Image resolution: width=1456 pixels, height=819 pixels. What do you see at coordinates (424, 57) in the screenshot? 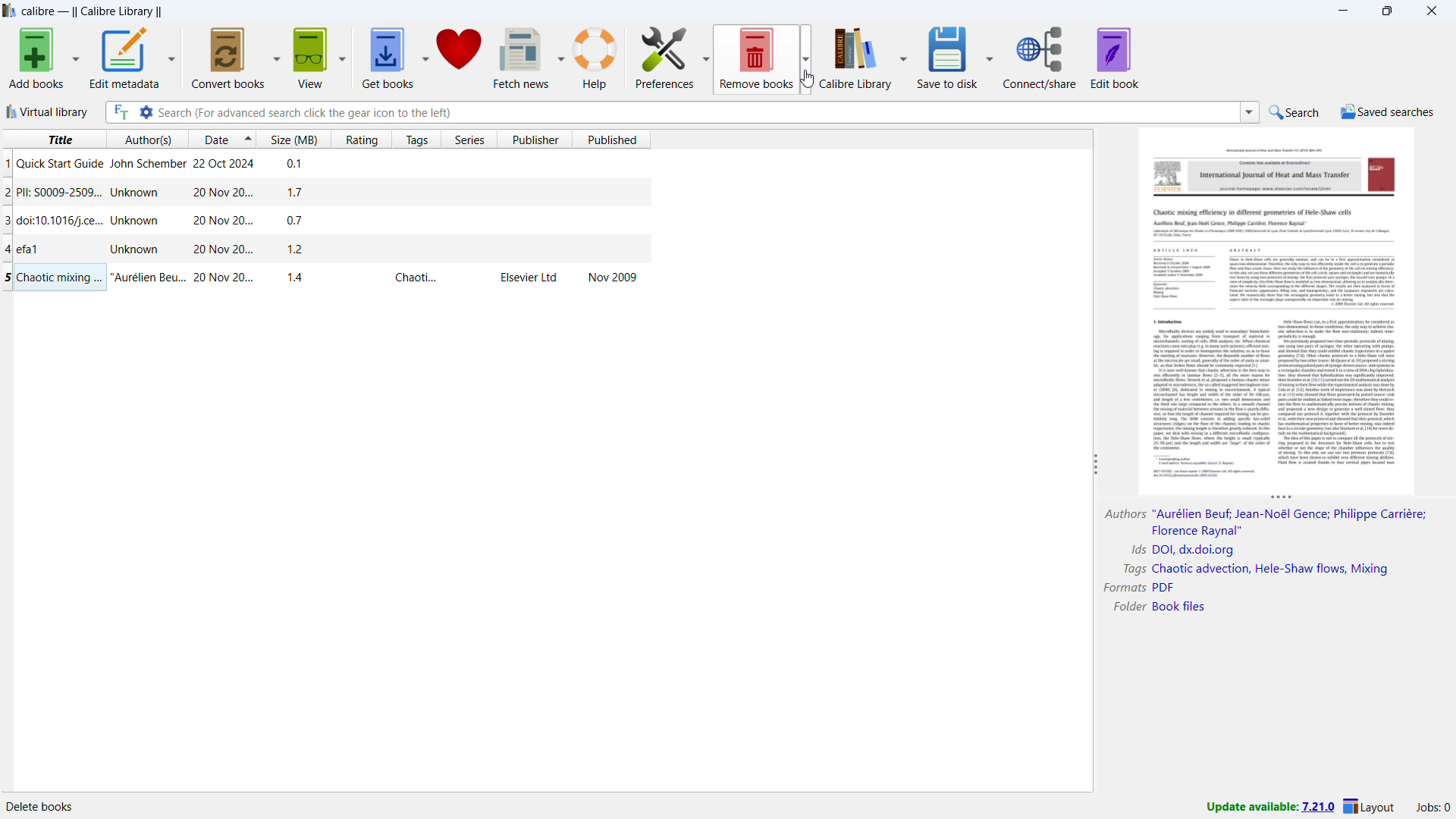
I see `get books options` at bounding box center [424, 57].